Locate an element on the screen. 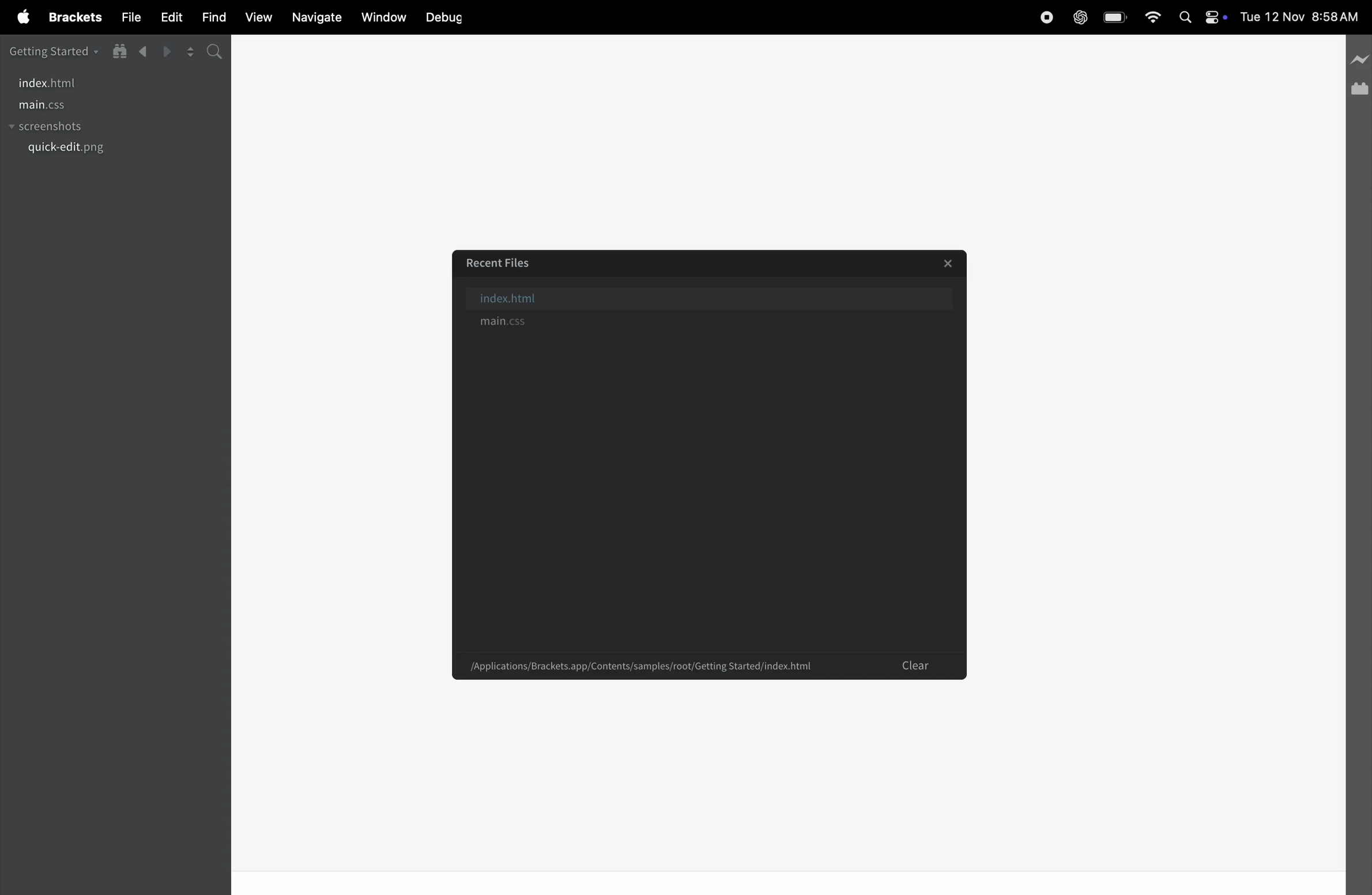 The image size is (1372, 895). screemshots is located at coordinates (70, 128).